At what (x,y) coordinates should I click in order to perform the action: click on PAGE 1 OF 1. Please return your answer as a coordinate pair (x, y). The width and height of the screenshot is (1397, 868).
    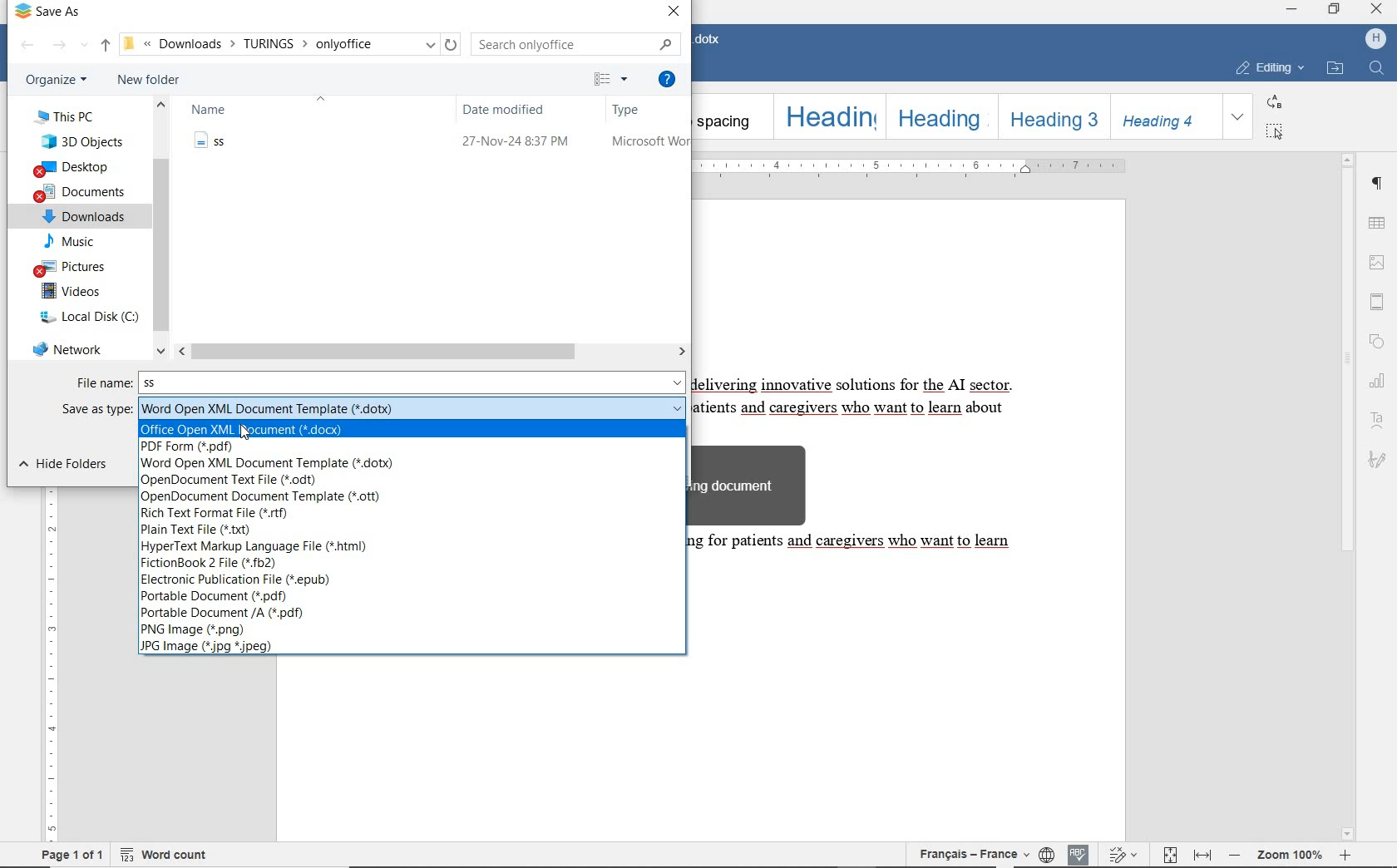
    Looking at the image, I should click on (73, 855).